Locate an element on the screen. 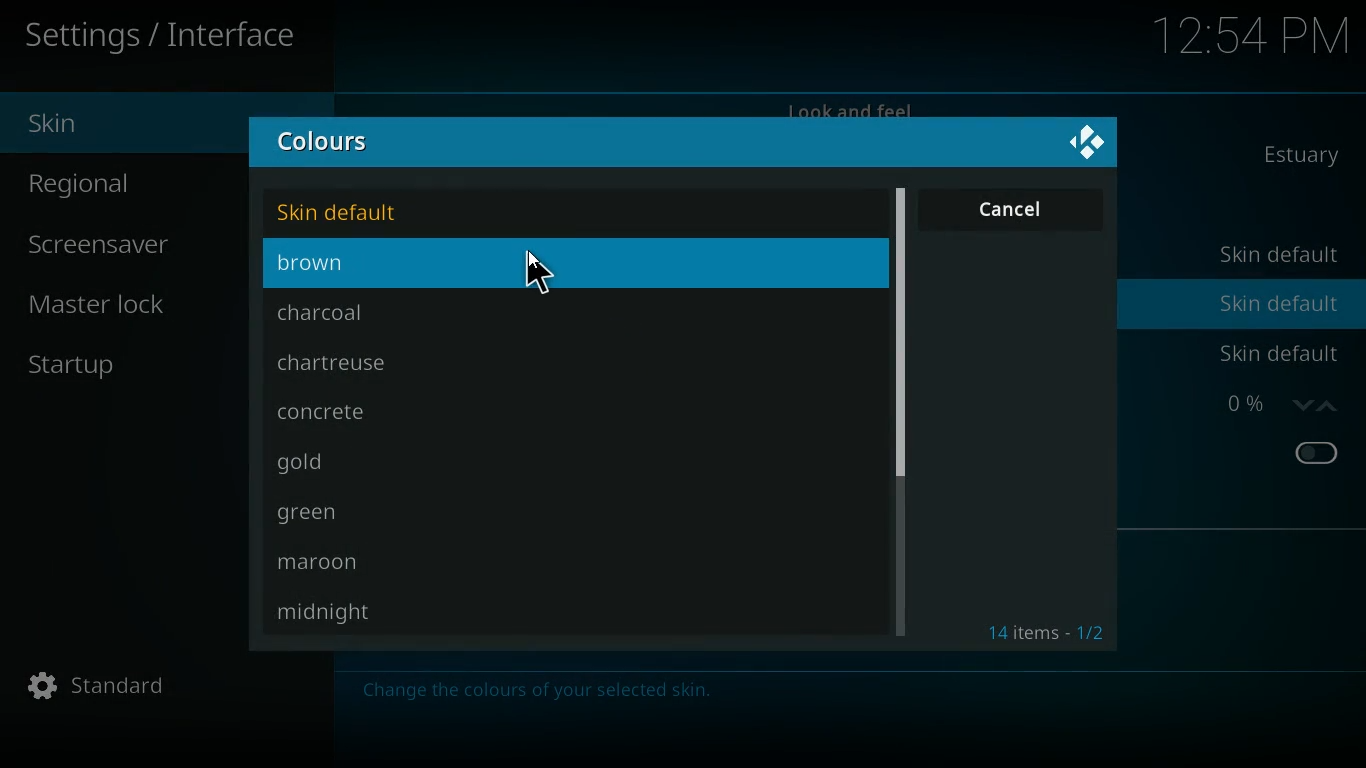 This screenshot has width=1366, height=768. cancel is located at coordinates (1013, 210).